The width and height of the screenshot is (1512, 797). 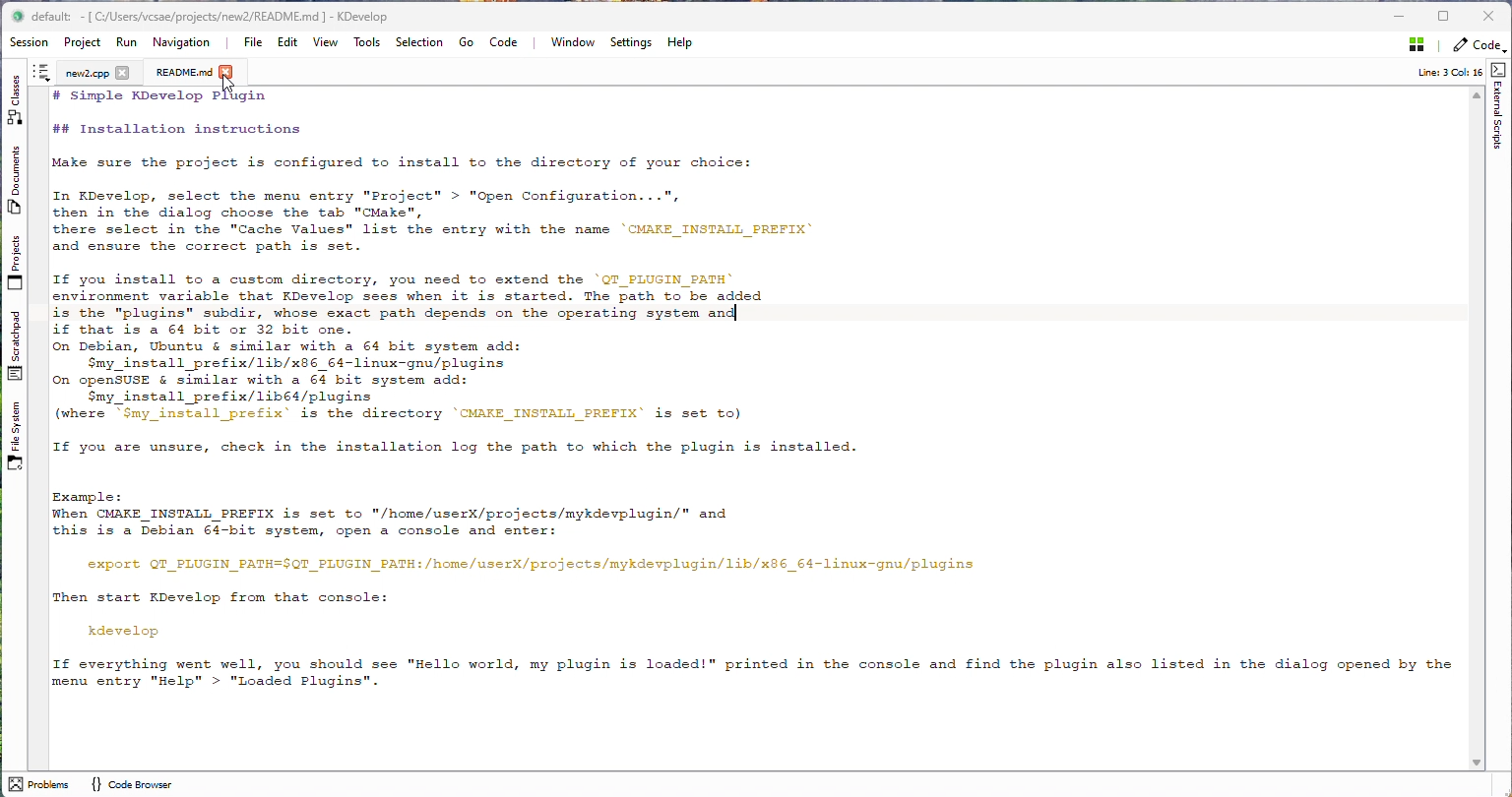 I want to click on Selection, so click(x=420, y=43).